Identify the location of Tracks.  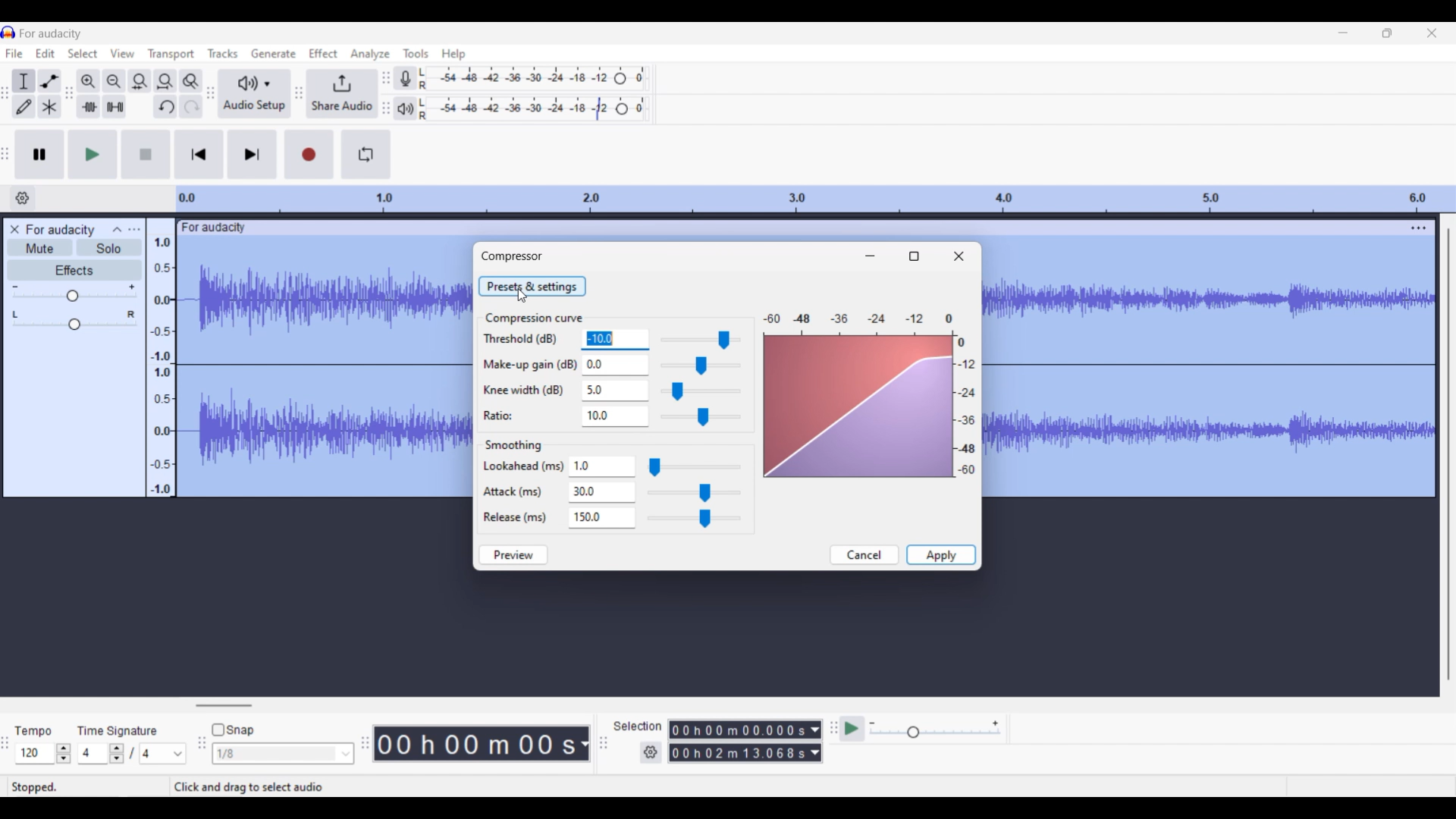
(222, 53).